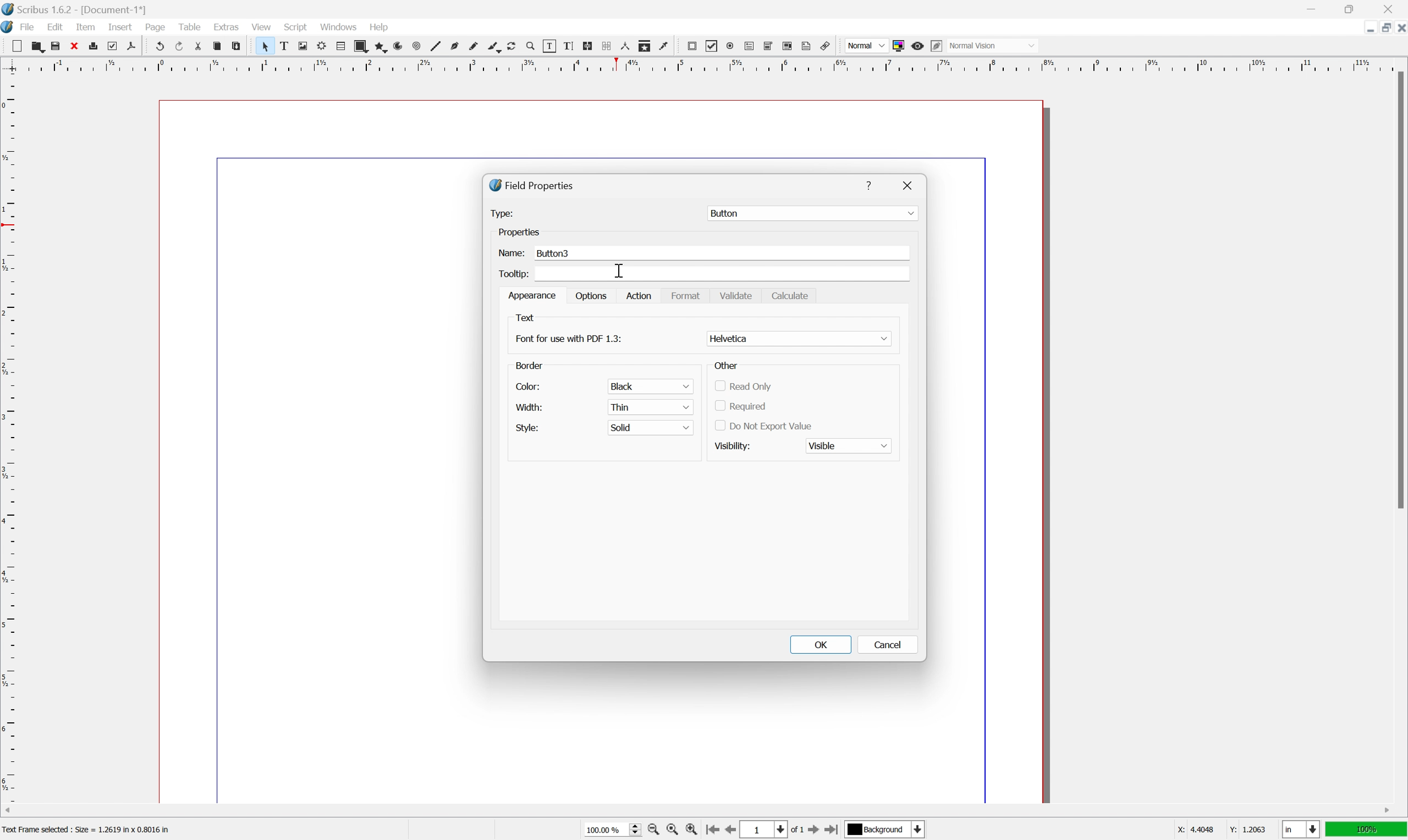  What do you see at coordinates (898, 45) in the screenshot?
I see `toggle color management system` at bounding box center [898, 45].